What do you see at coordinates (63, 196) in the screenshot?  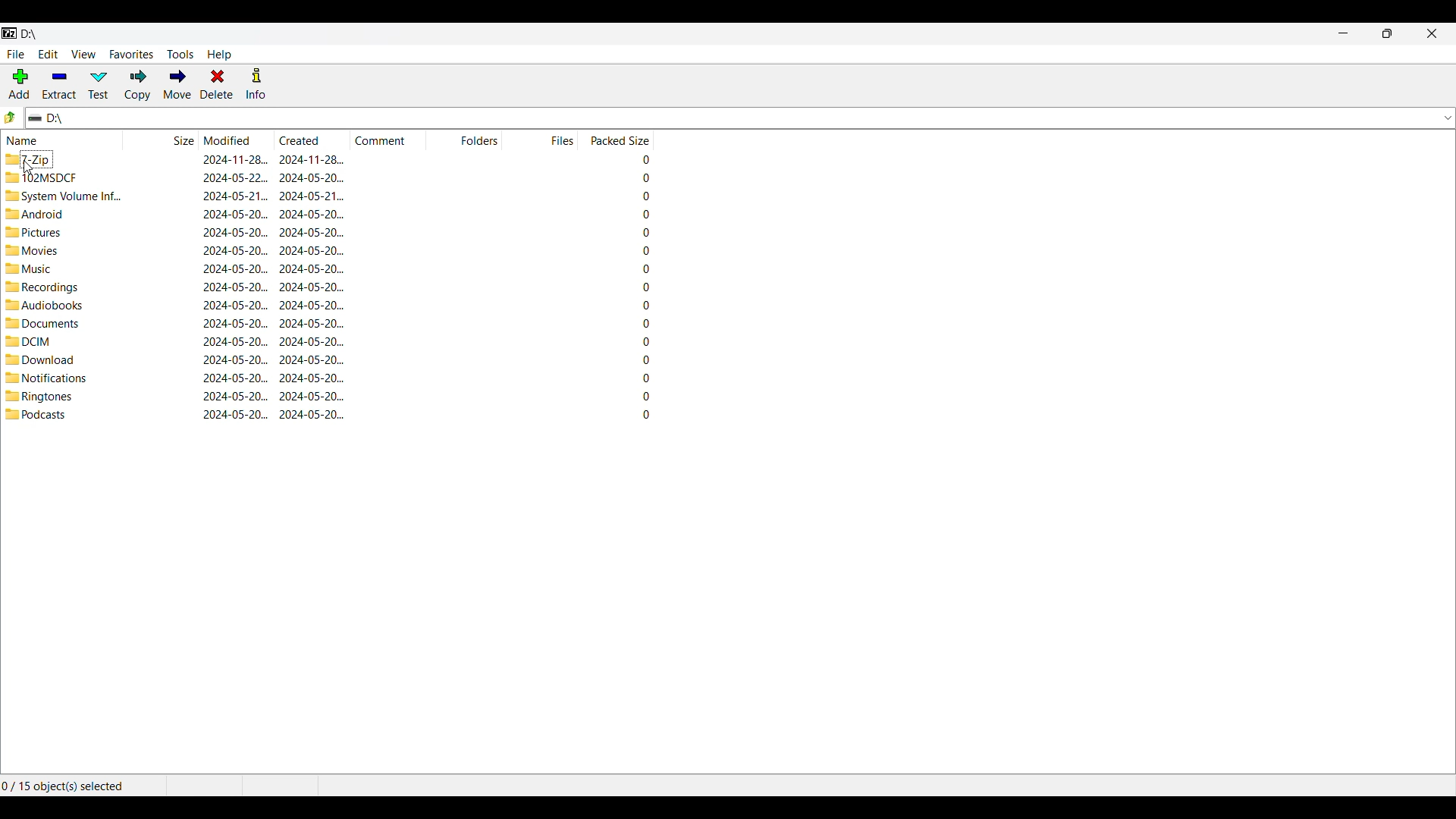 I see `folder` at bounding box center [63, 196].